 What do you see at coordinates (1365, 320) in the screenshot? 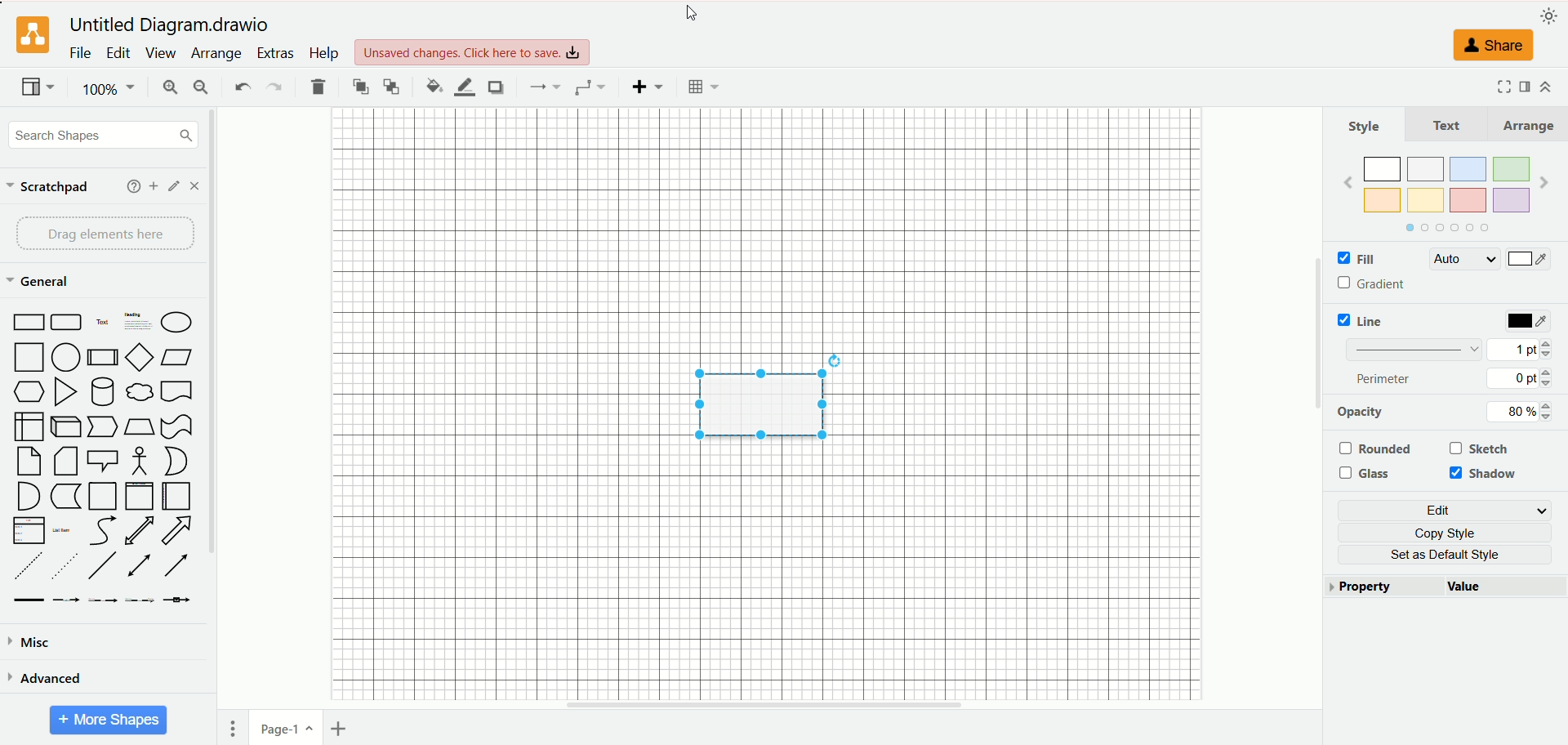
I see `line` at bounding box center [1365, 320].